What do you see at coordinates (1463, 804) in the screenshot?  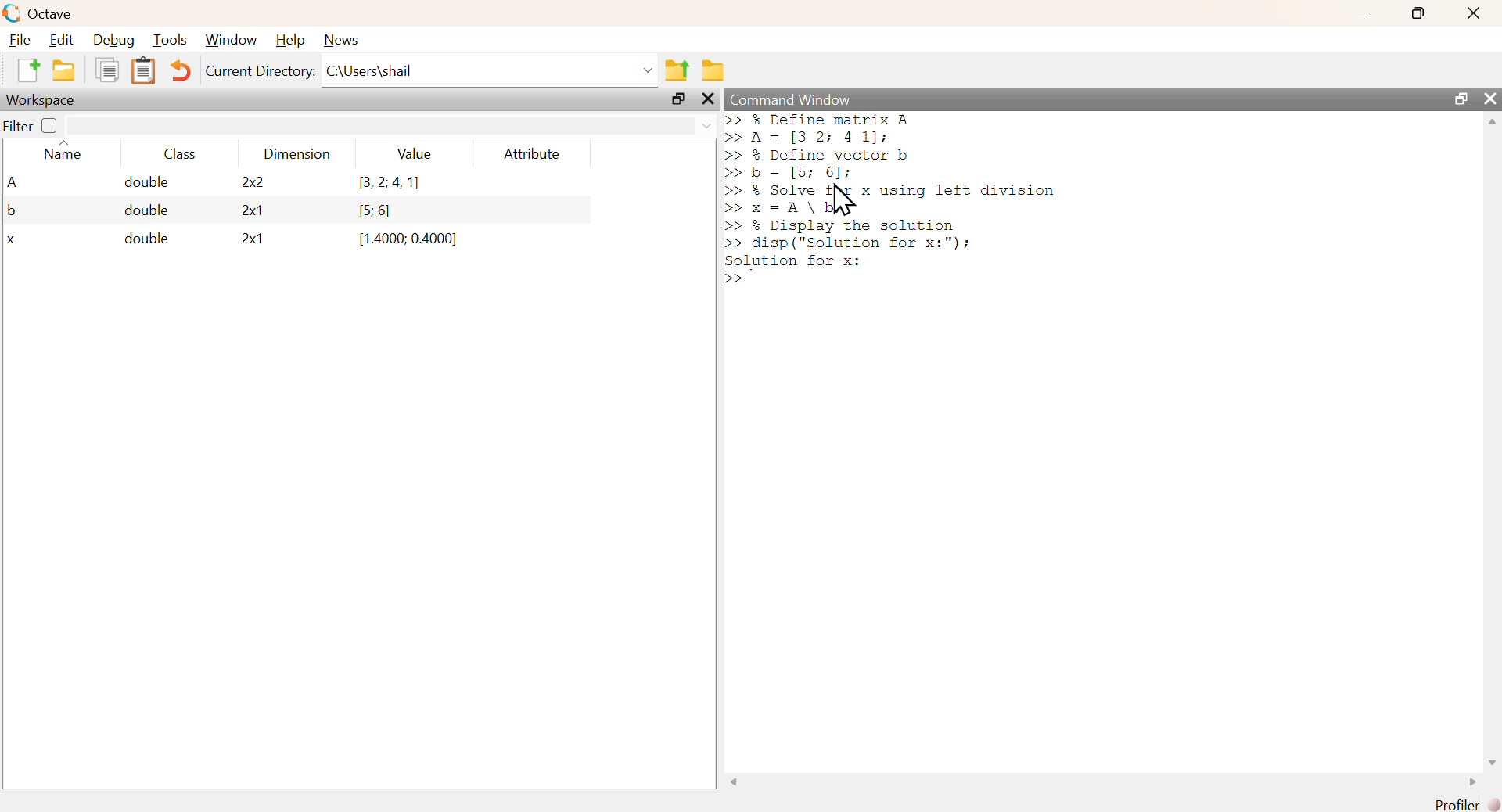 I see `profiler` at bounding box center [1463, 804].